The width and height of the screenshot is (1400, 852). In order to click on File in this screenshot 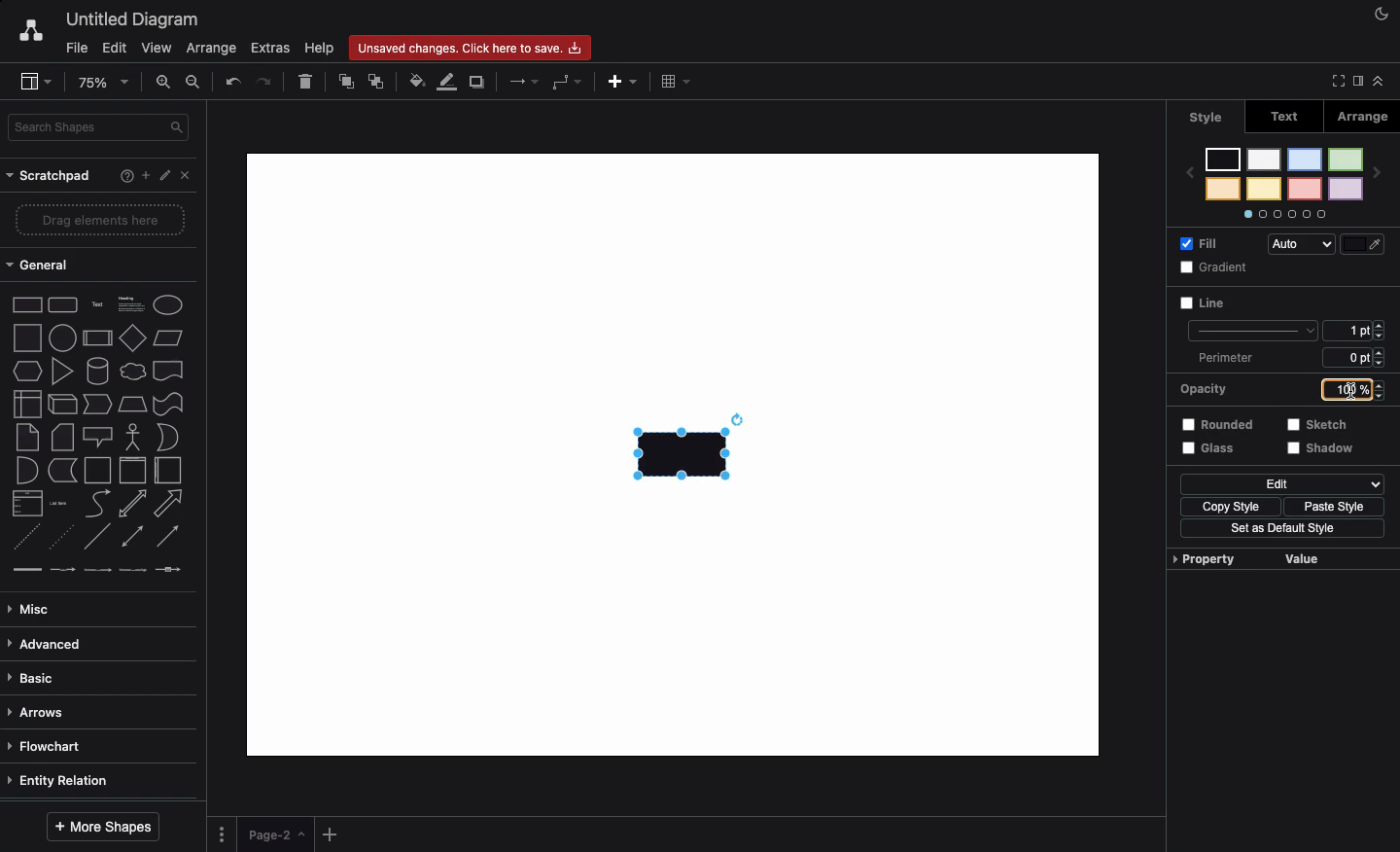, I will do `click(74, 48)`.